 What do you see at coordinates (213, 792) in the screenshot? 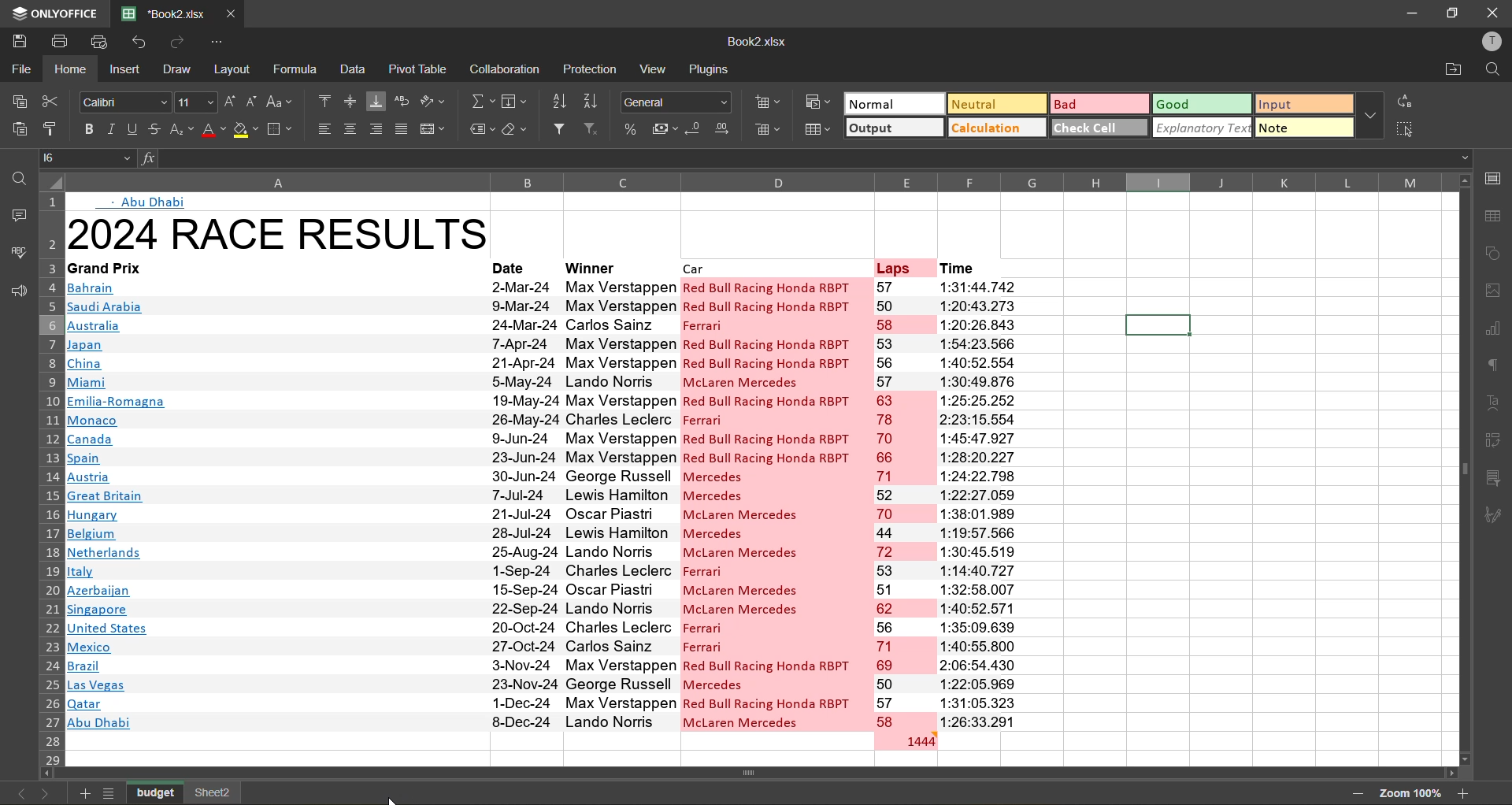
I see `sheet2` at bounding box center [213, 792].